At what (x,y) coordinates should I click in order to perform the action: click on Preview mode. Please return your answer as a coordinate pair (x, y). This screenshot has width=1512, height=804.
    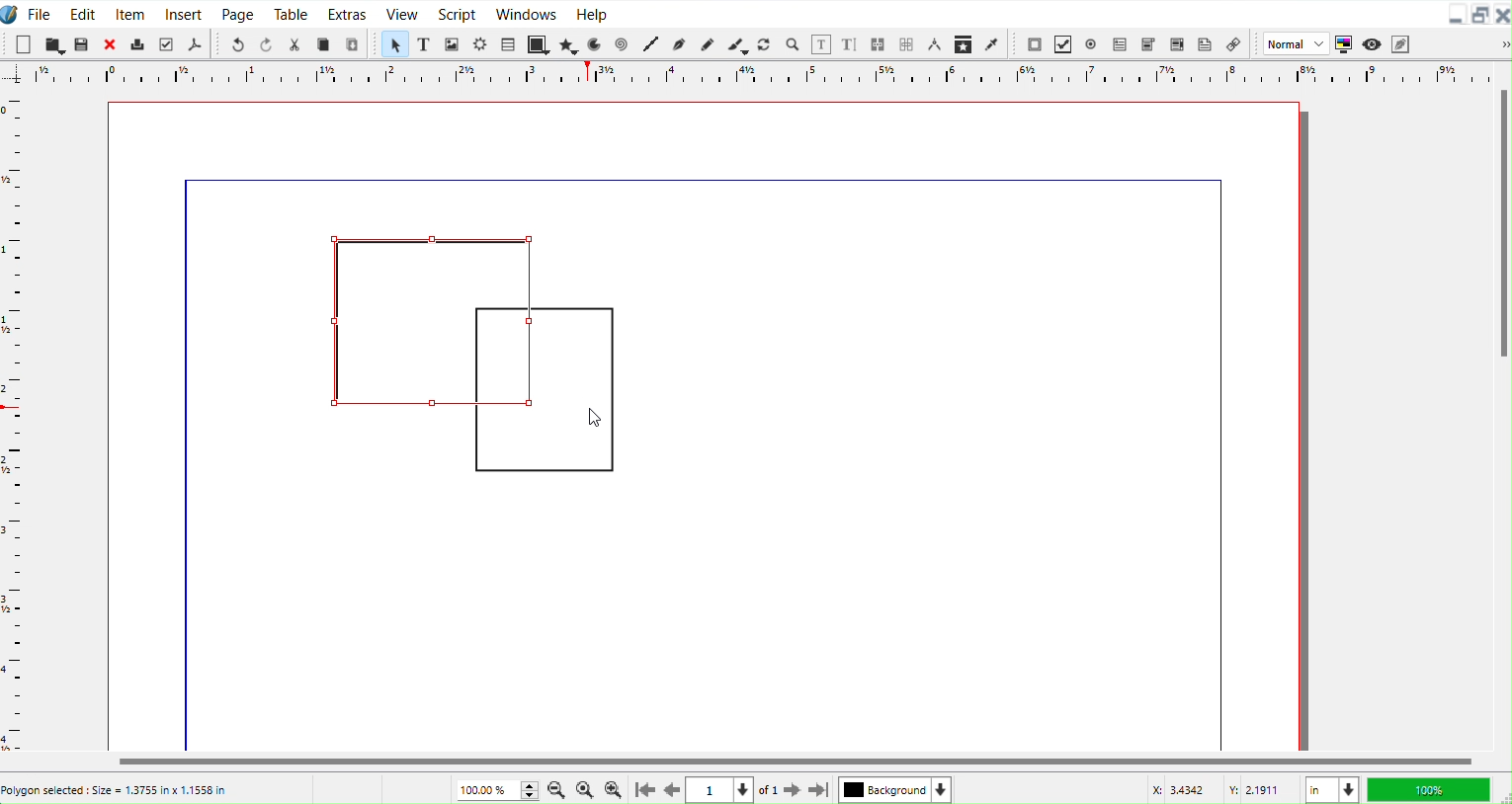
    Looking at the image, I should click on (1371, 42).